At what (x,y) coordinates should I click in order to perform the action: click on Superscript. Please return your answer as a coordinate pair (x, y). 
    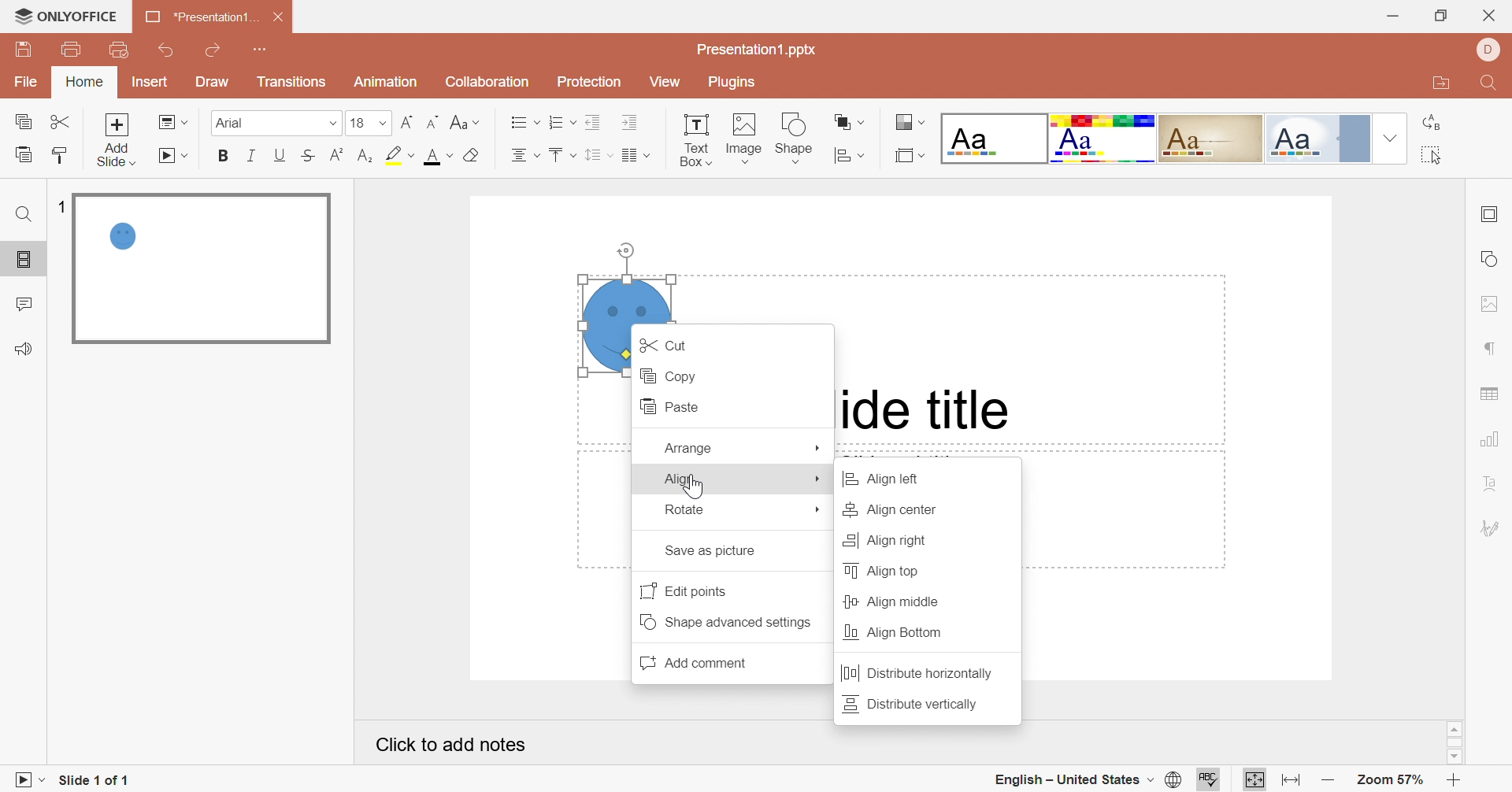
    Looking at the image, I should click on (333, 156).